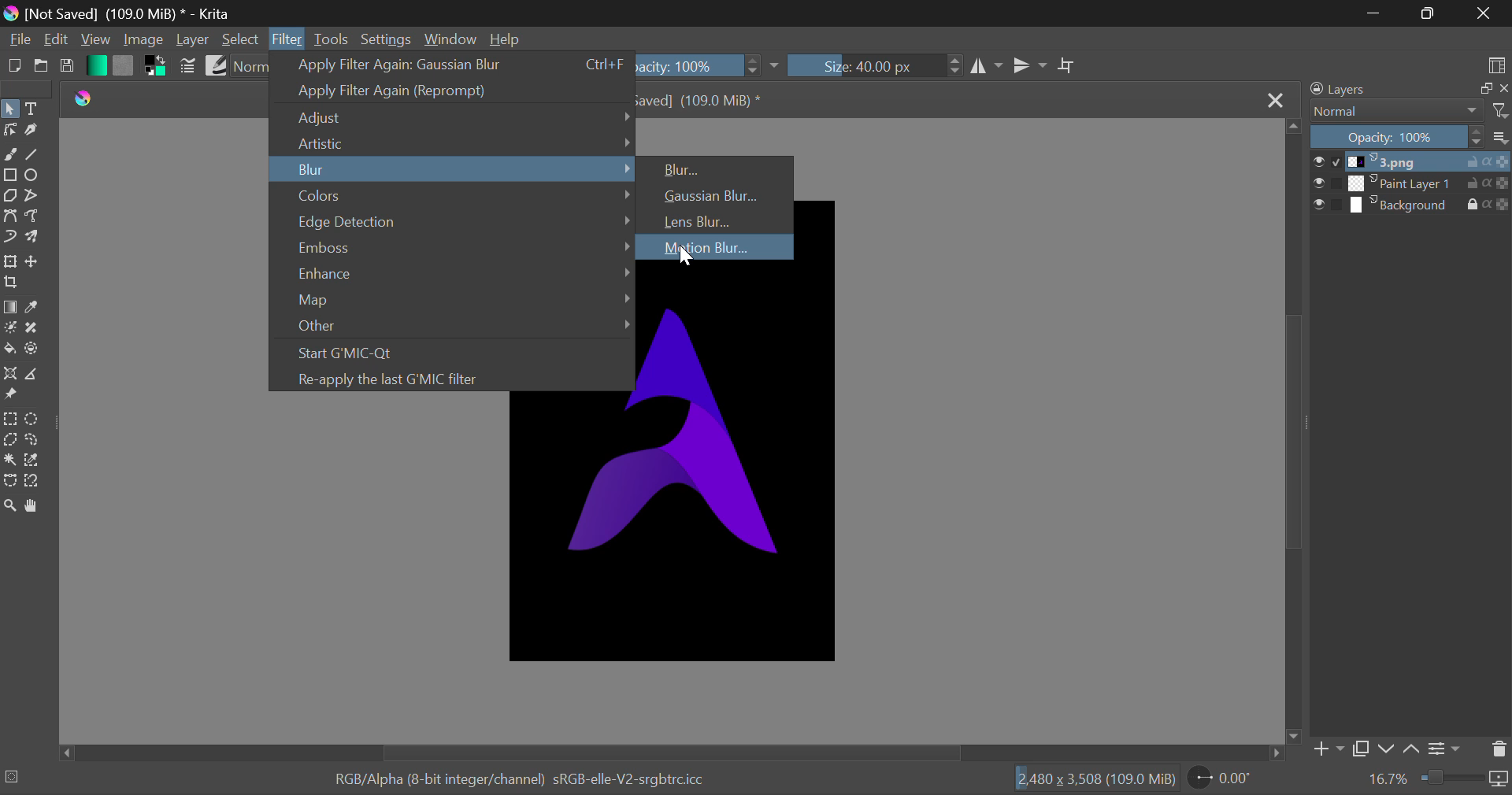  Describe the element at coordinates (153, 68) in the screenshot. I see `Colors in Use` at that location.